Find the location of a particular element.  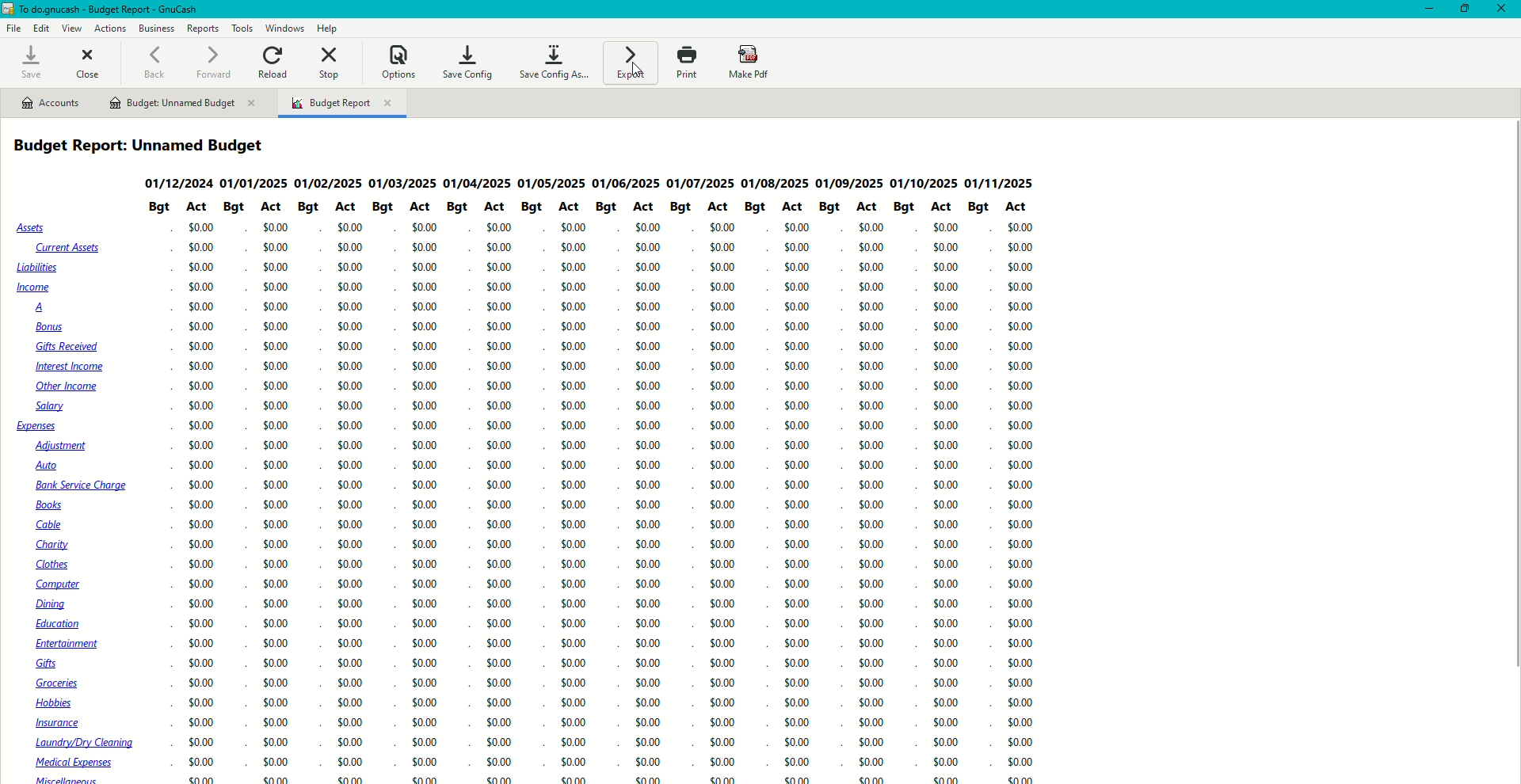

Close is located at coordinates (1504, 10).